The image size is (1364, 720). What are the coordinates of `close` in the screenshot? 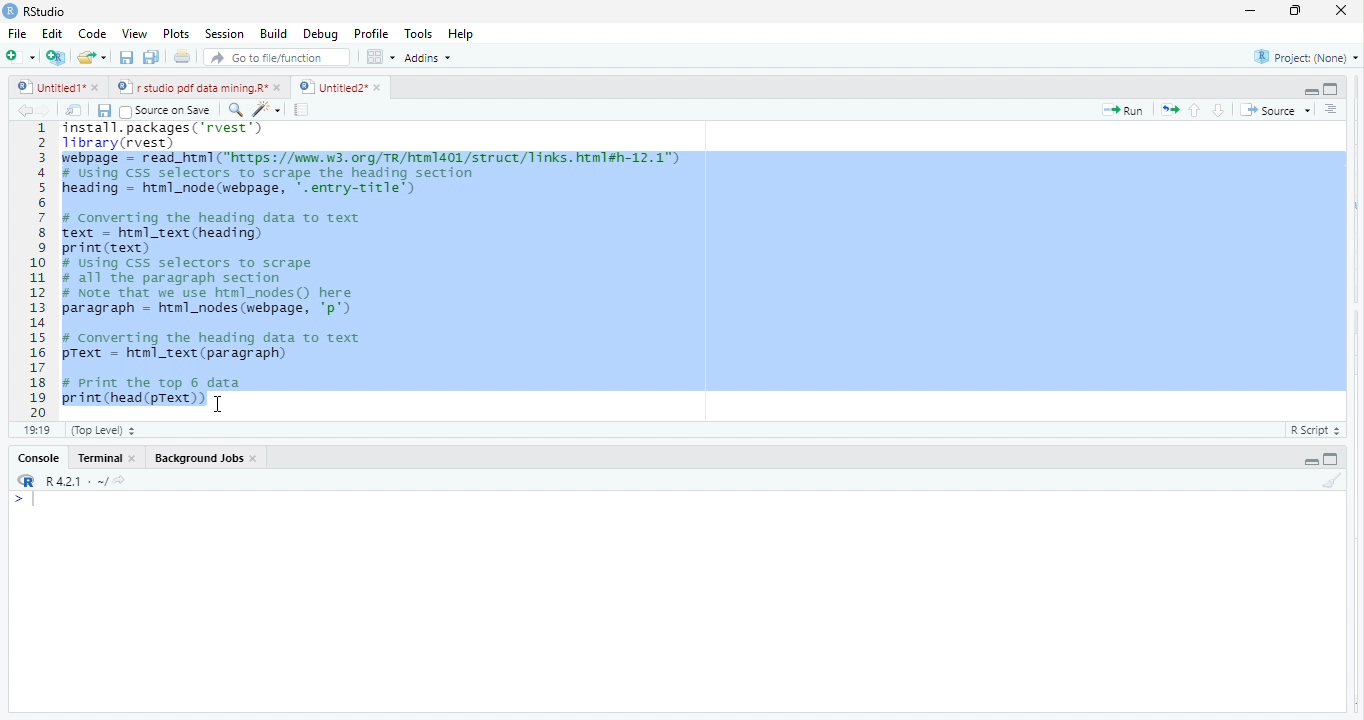 It's located at (280, 87).